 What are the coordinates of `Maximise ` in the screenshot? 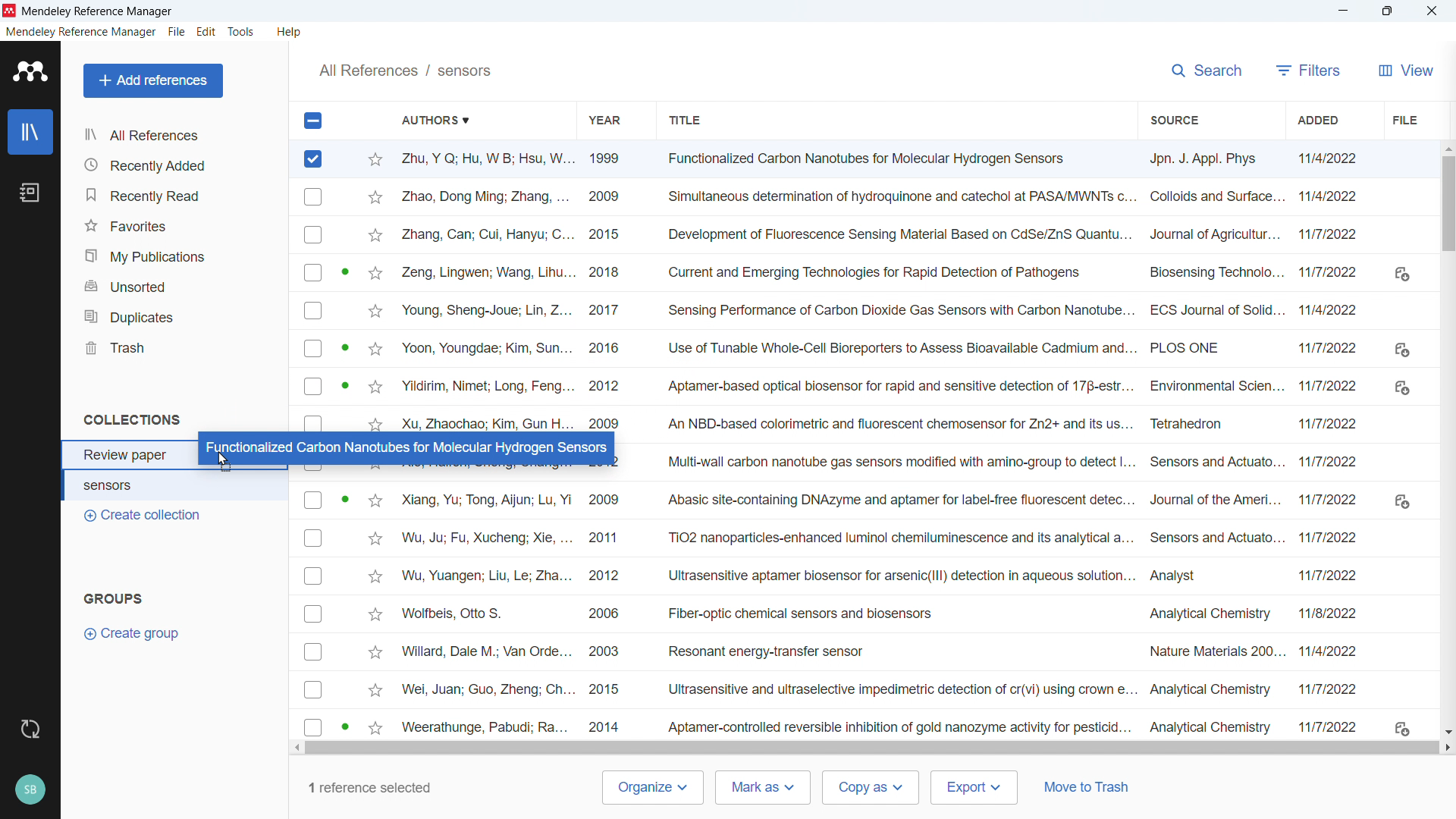 It's located at (1386, 11).